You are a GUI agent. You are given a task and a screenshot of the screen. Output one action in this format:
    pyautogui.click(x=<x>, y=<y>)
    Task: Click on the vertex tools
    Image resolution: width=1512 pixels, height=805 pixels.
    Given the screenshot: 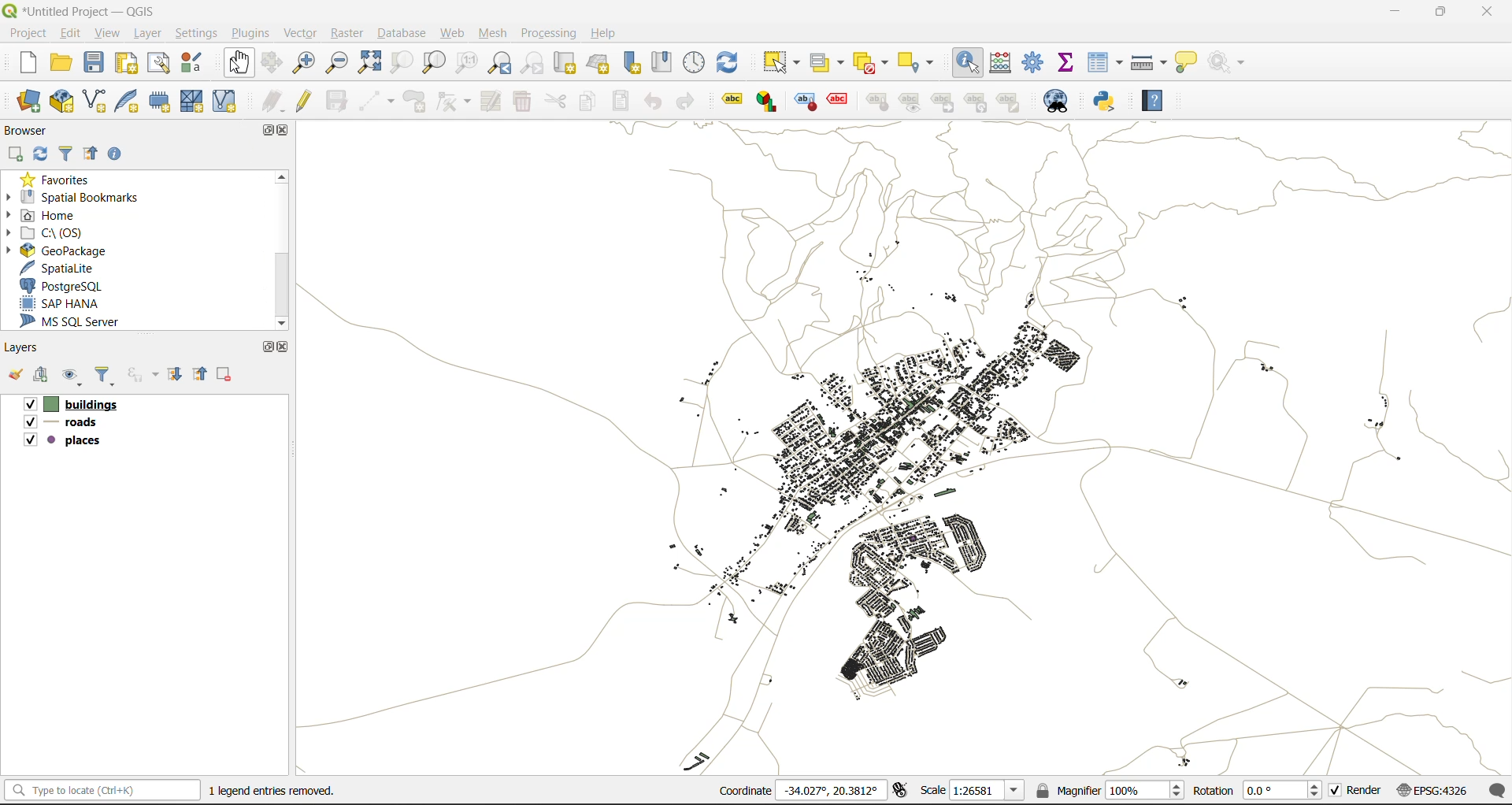 What is the action you would take?
    pyautogui.click(x=454, y=102)
    